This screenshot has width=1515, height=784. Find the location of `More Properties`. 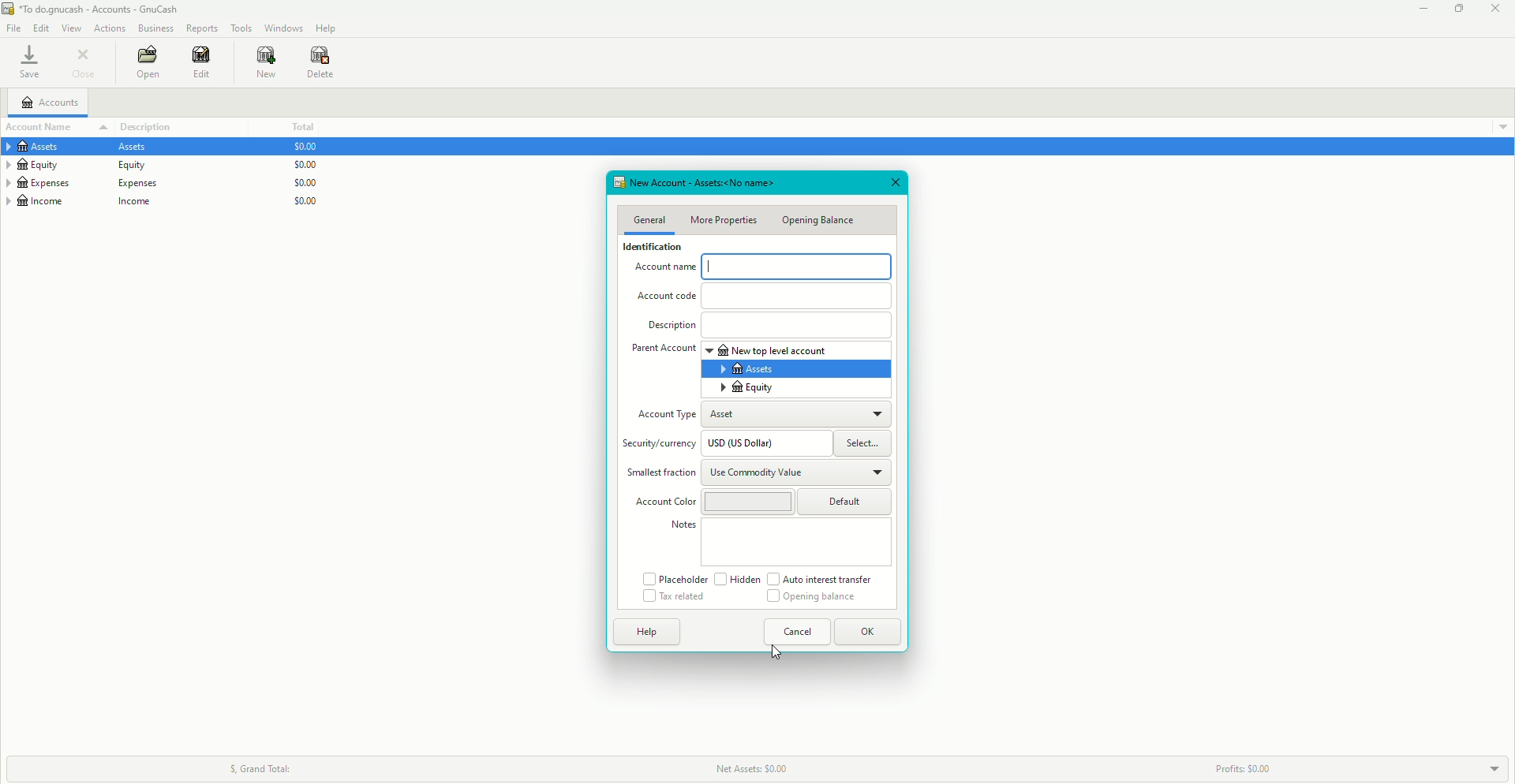

More Properties is located at coordinates (726, 220).